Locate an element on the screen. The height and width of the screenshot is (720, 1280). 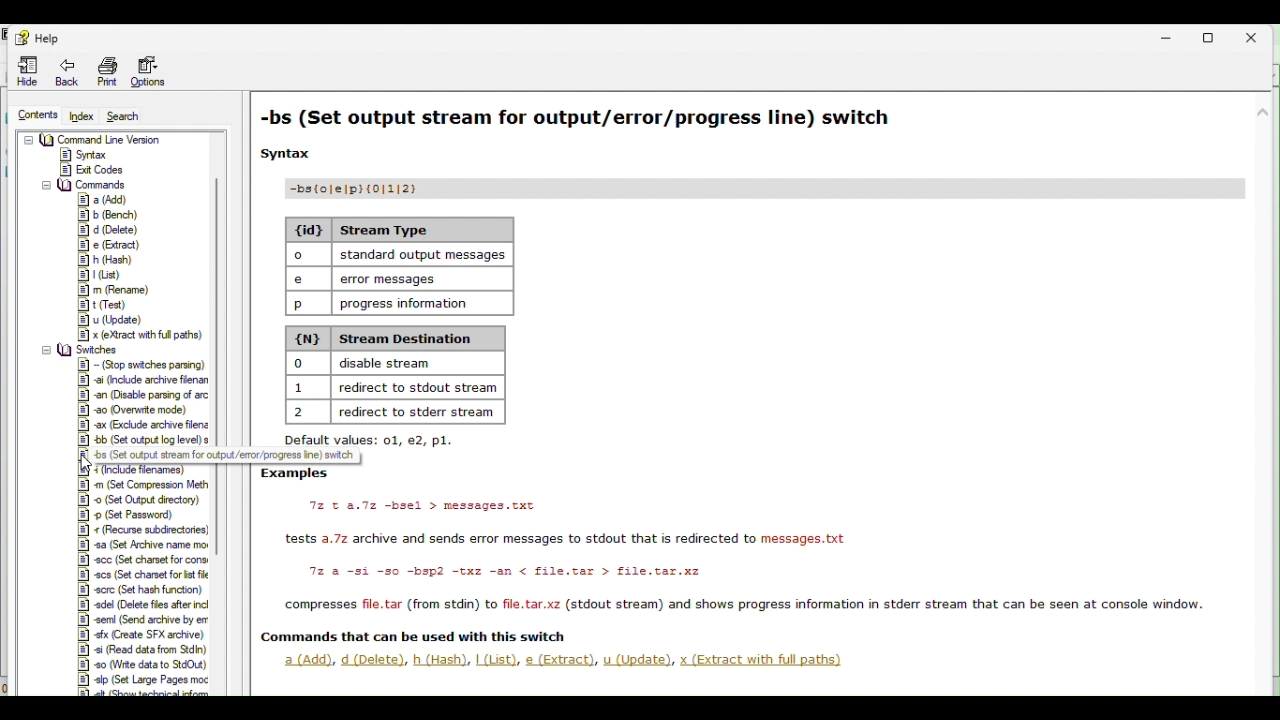
help is located at coordinates (35, 35).